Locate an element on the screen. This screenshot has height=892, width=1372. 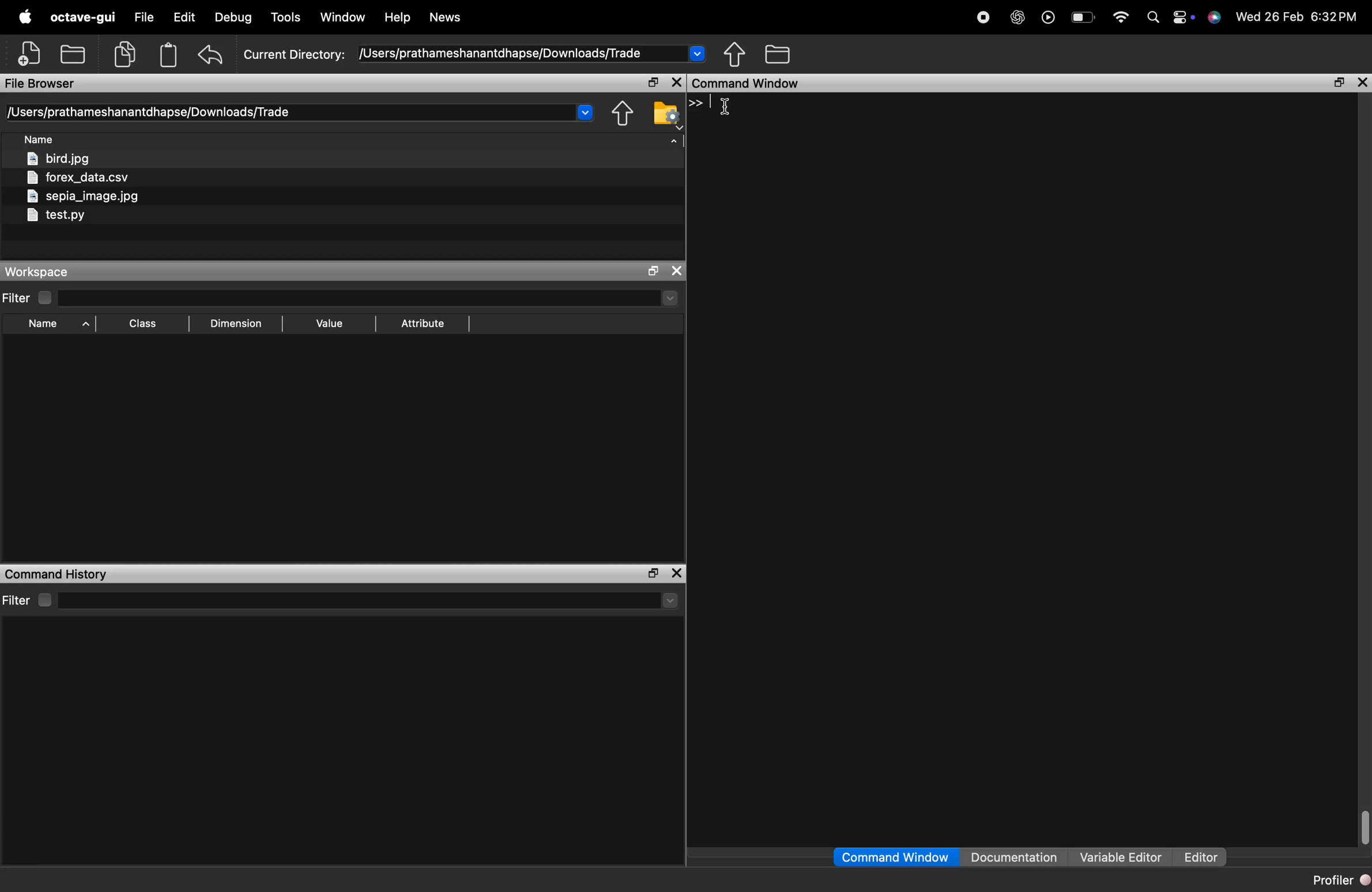
browse your file is located at coordinates (667, 114).